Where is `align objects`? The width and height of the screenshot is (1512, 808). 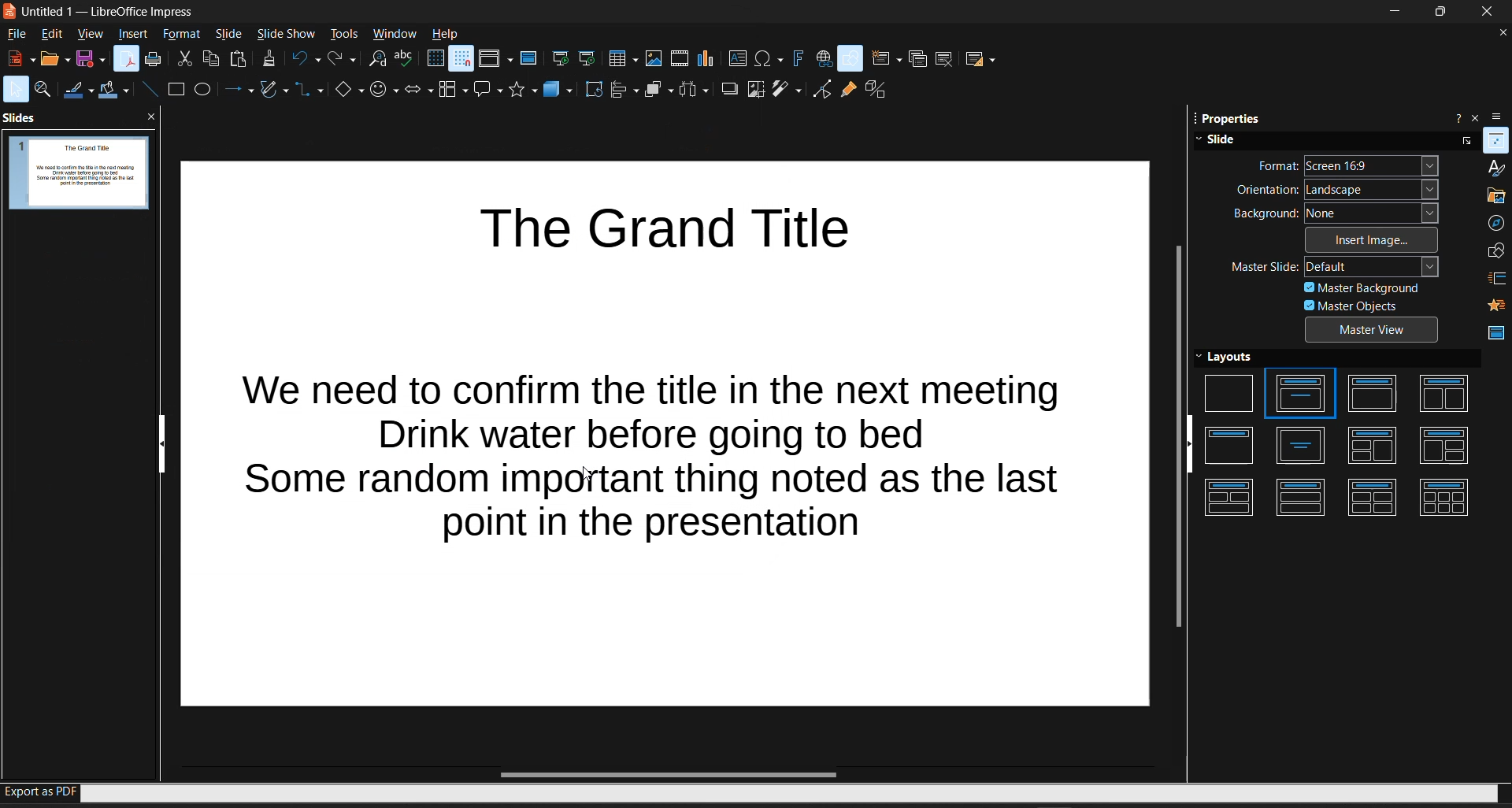
align objects is located at coordinates (626, 90).